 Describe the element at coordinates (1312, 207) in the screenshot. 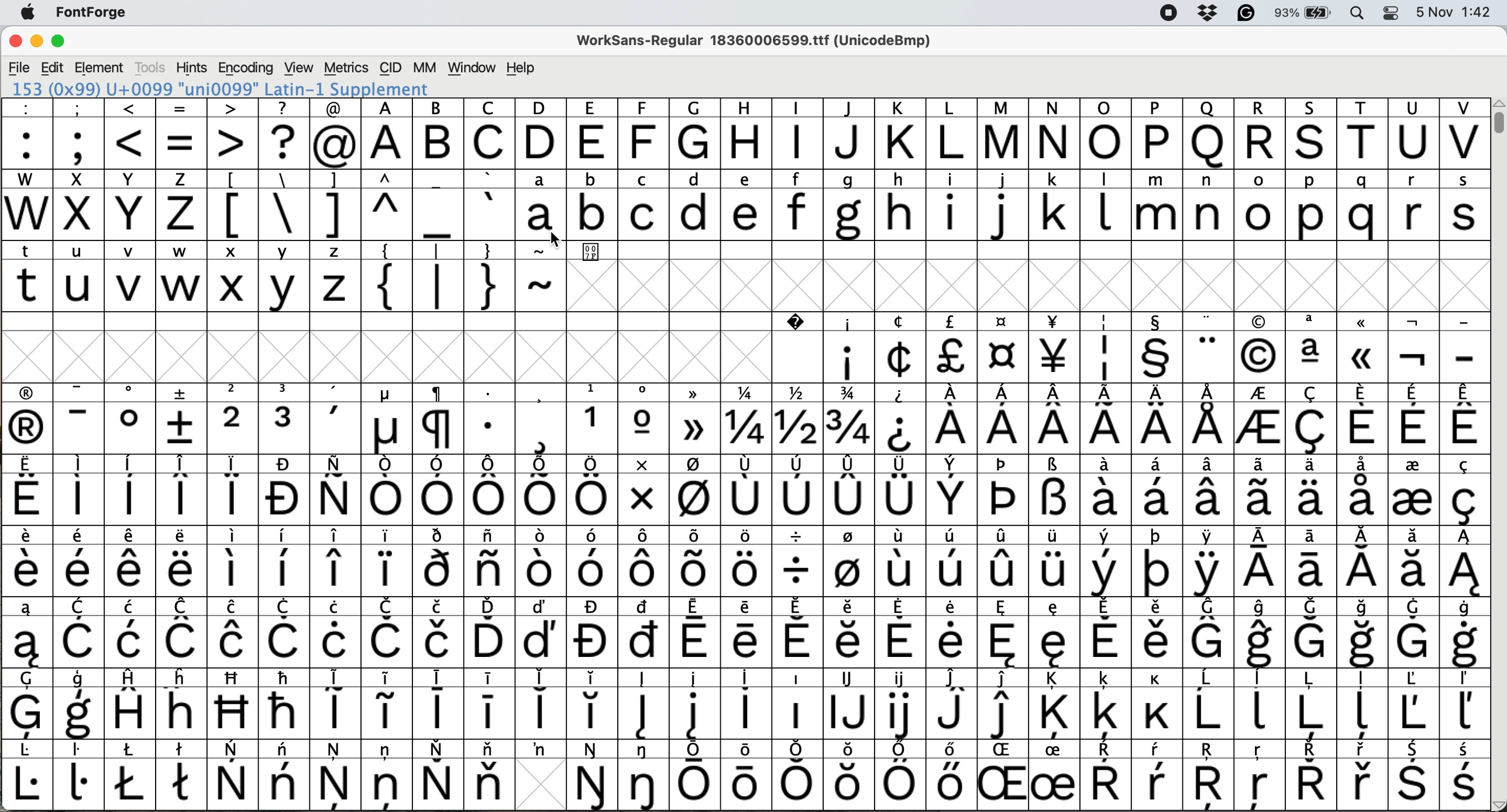

I see `p` at that location.